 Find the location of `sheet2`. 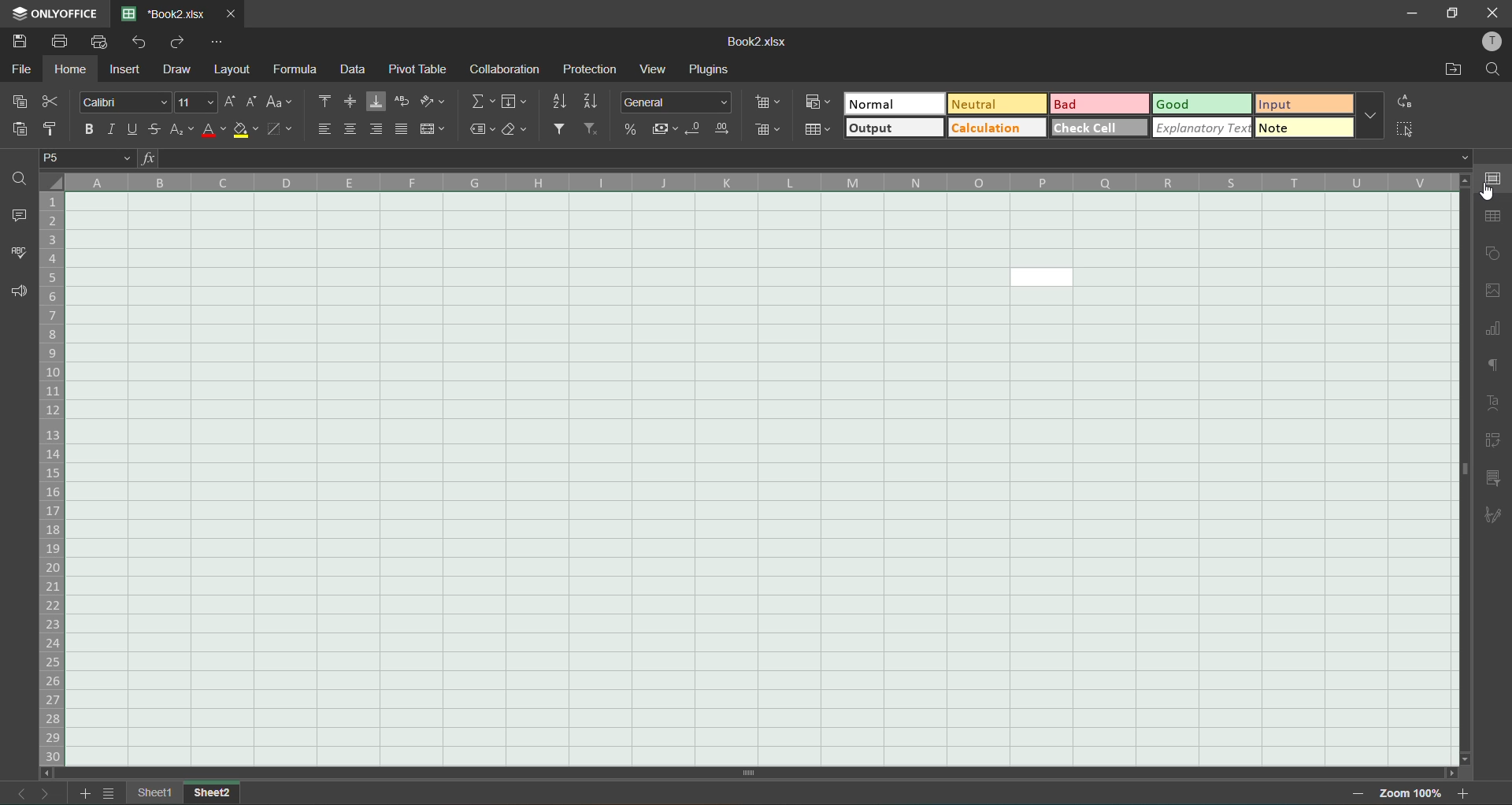

sheet2 is located at coordinates (211, 792).